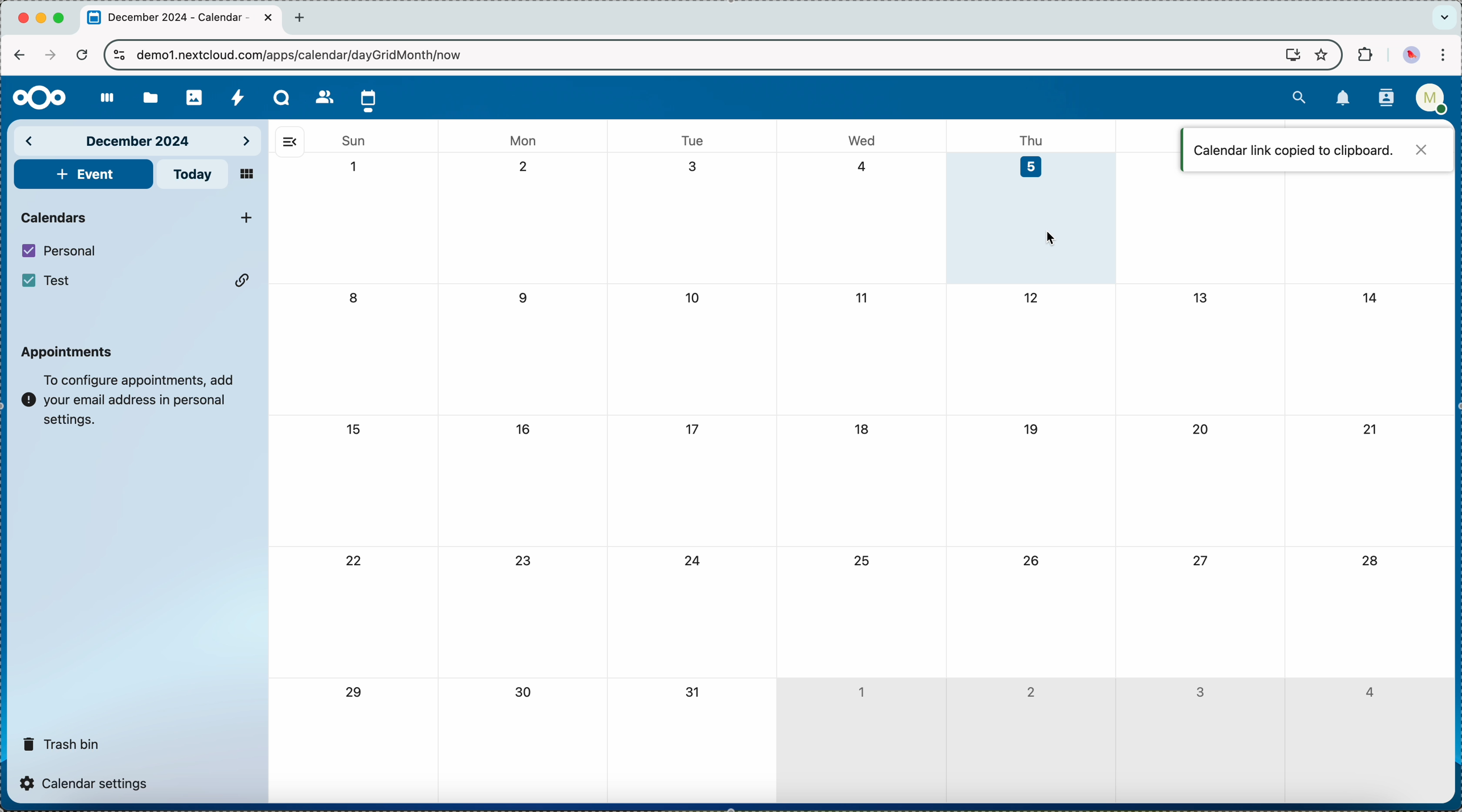 The height and width of the screenshot is (812, 1462). What do you see at coordinates (194, 174) in the screenshot?
I see `today` at bounding box center [194, 174].